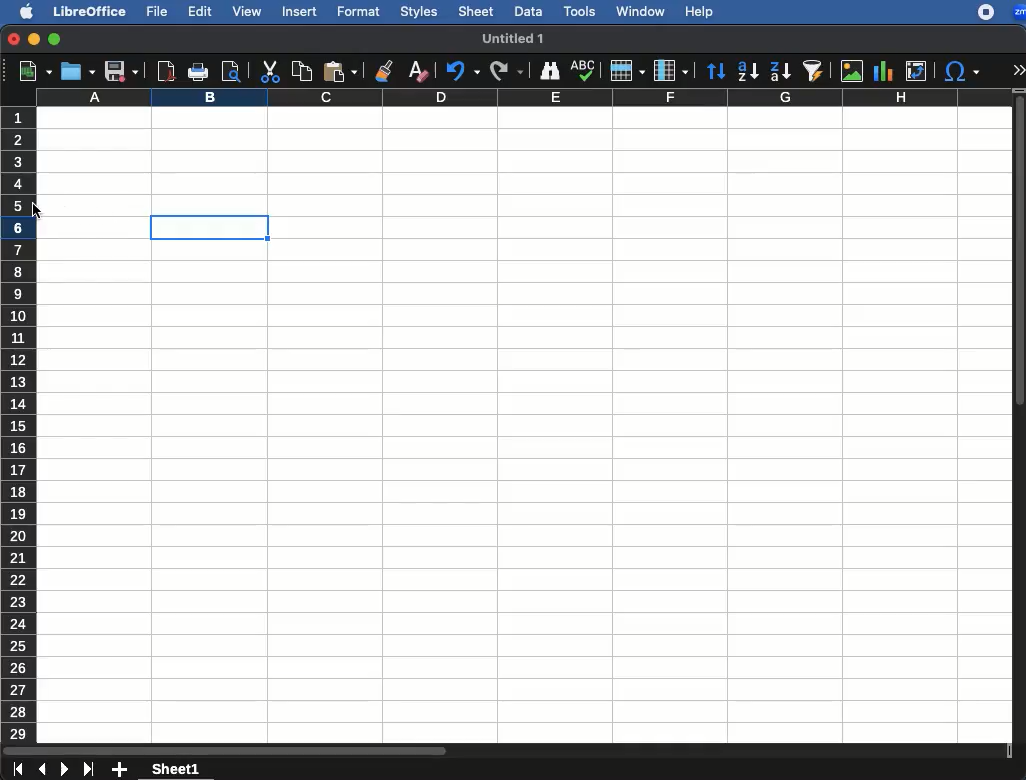 This screenshot has width=1026, height=780. Describe the element at coordinates (474, 11) in the screenshot. I see `sheet` at that location.